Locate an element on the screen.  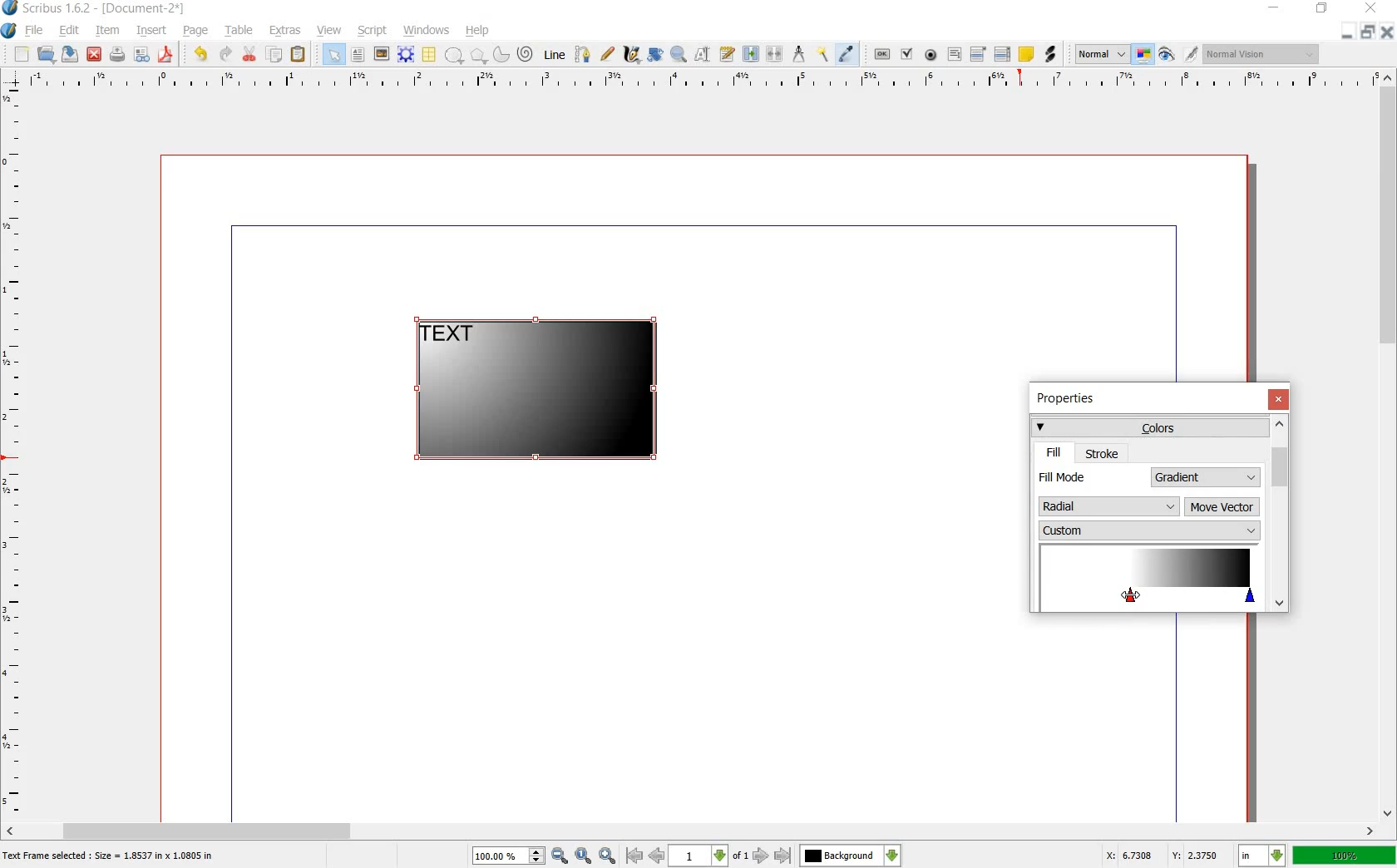
system logo is located at coordinates (8, 31).